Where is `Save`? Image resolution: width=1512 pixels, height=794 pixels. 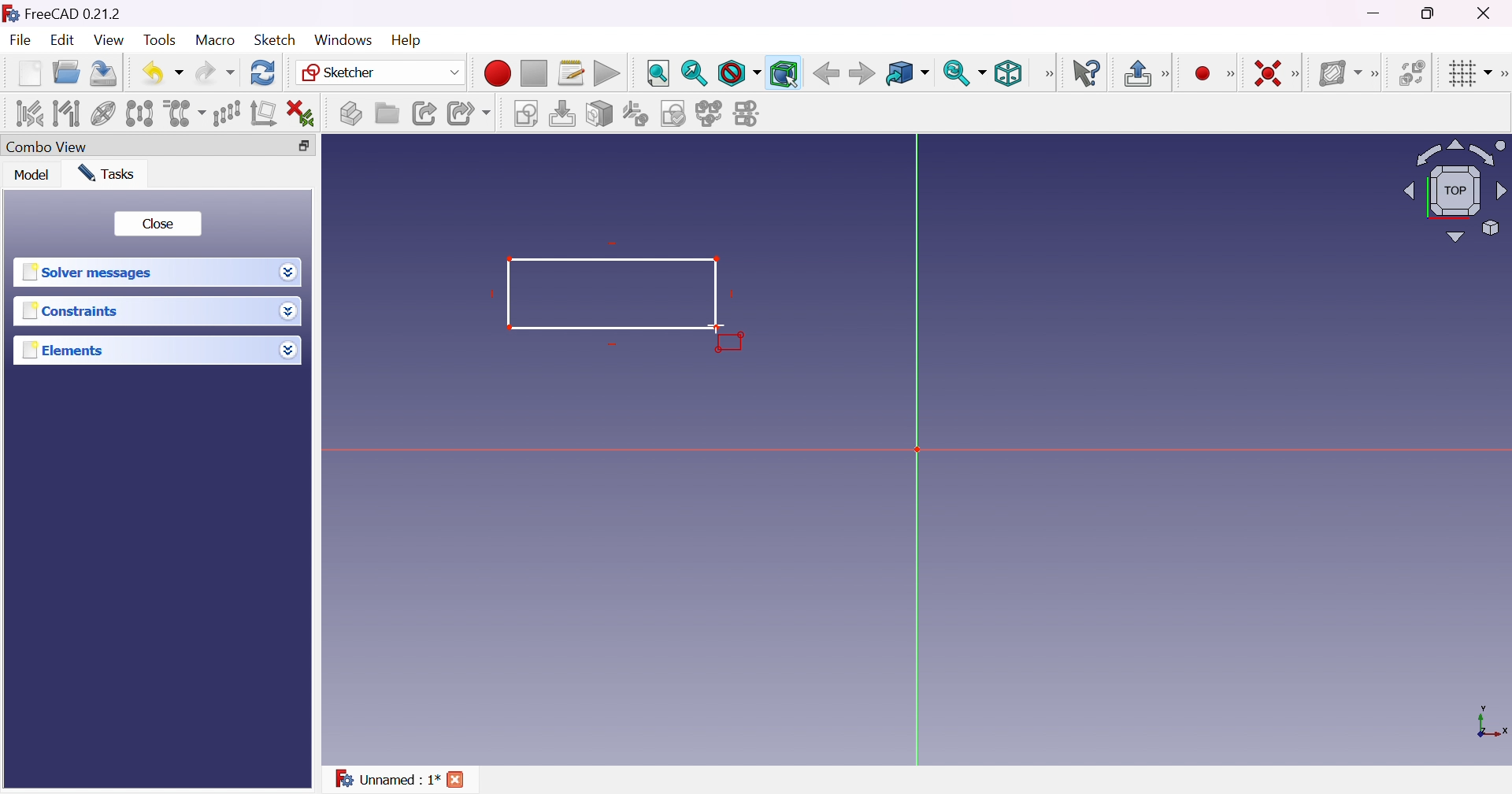 Save is located at coordinates (105, 74).